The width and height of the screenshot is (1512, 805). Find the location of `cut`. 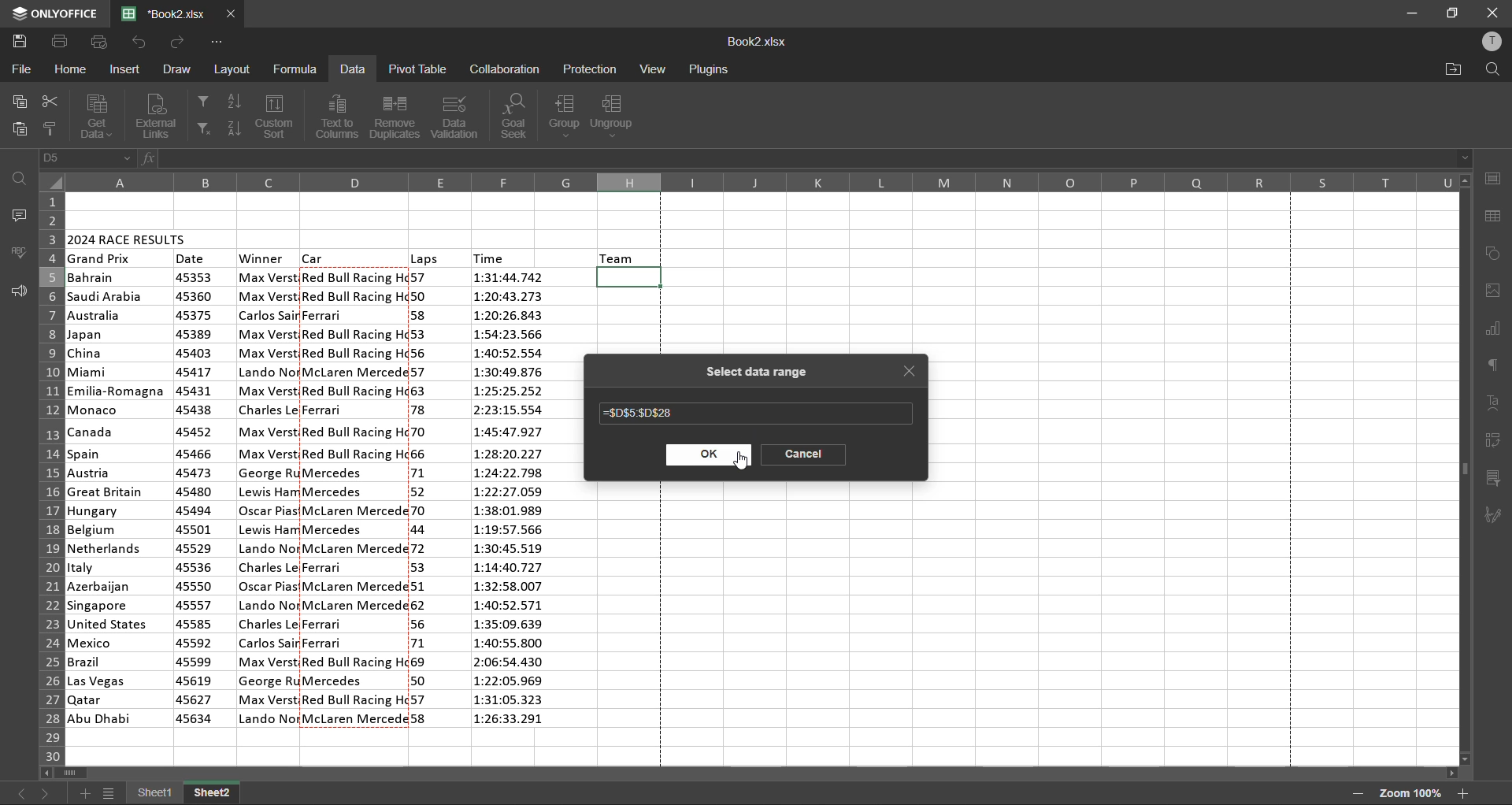

cut is located at coordinates (47, 104).